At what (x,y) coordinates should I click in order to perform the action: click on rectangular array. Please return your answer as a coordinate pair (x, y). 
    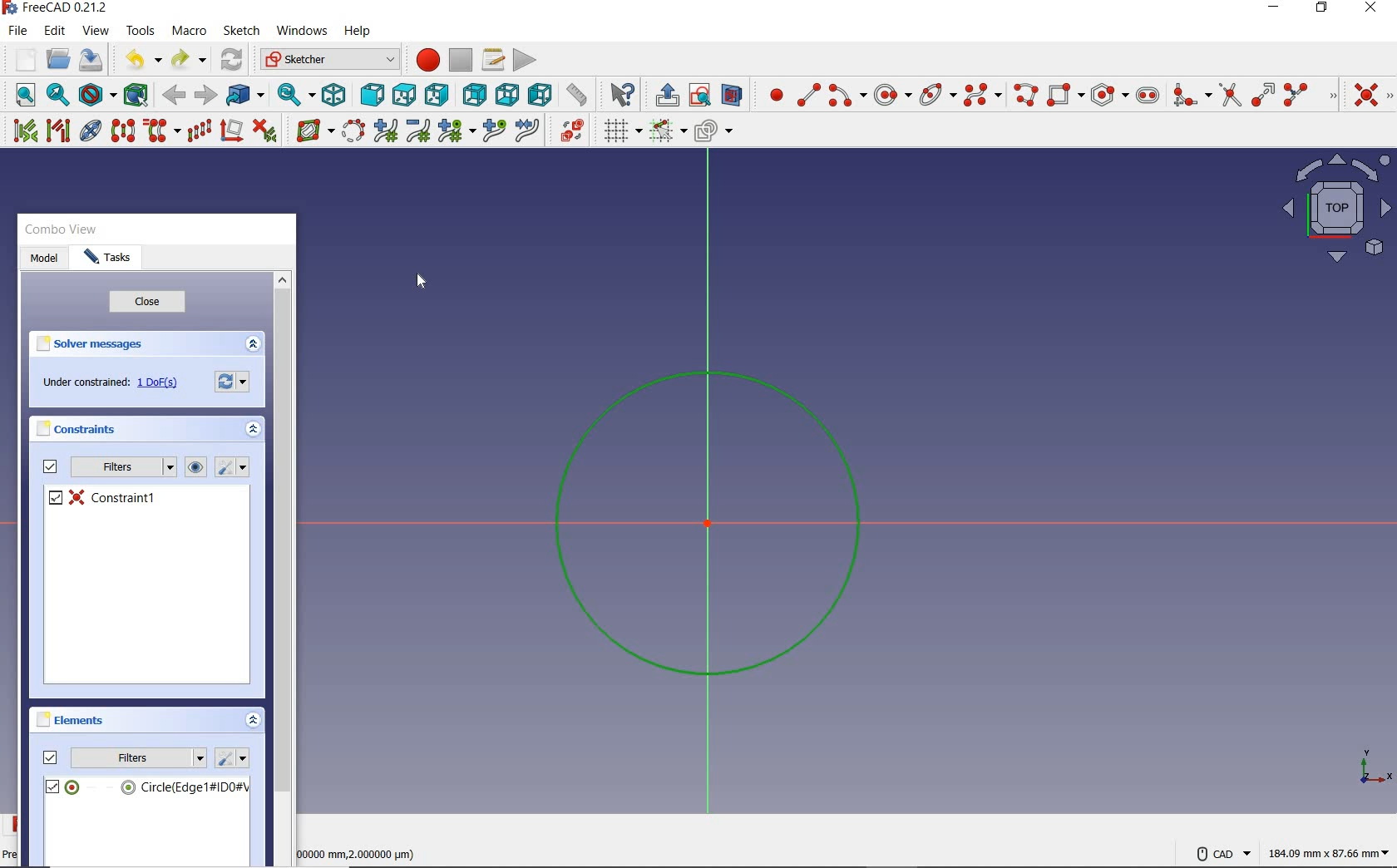
    Looking at the image, I should click on (200, 131).